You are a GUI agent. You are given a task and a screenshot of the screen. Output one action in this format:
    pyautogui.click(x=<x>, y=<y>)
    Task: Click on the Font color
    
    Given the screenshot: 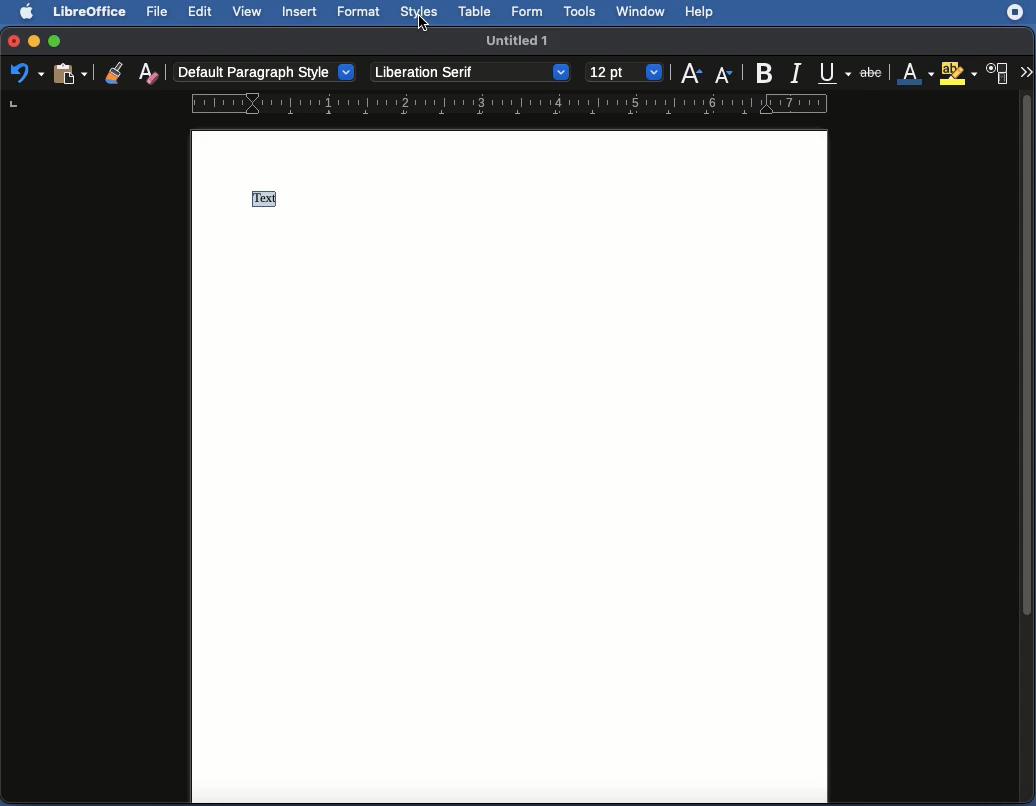 What is the action you would take?
    pyautogui.click(x=915, y=74)
    